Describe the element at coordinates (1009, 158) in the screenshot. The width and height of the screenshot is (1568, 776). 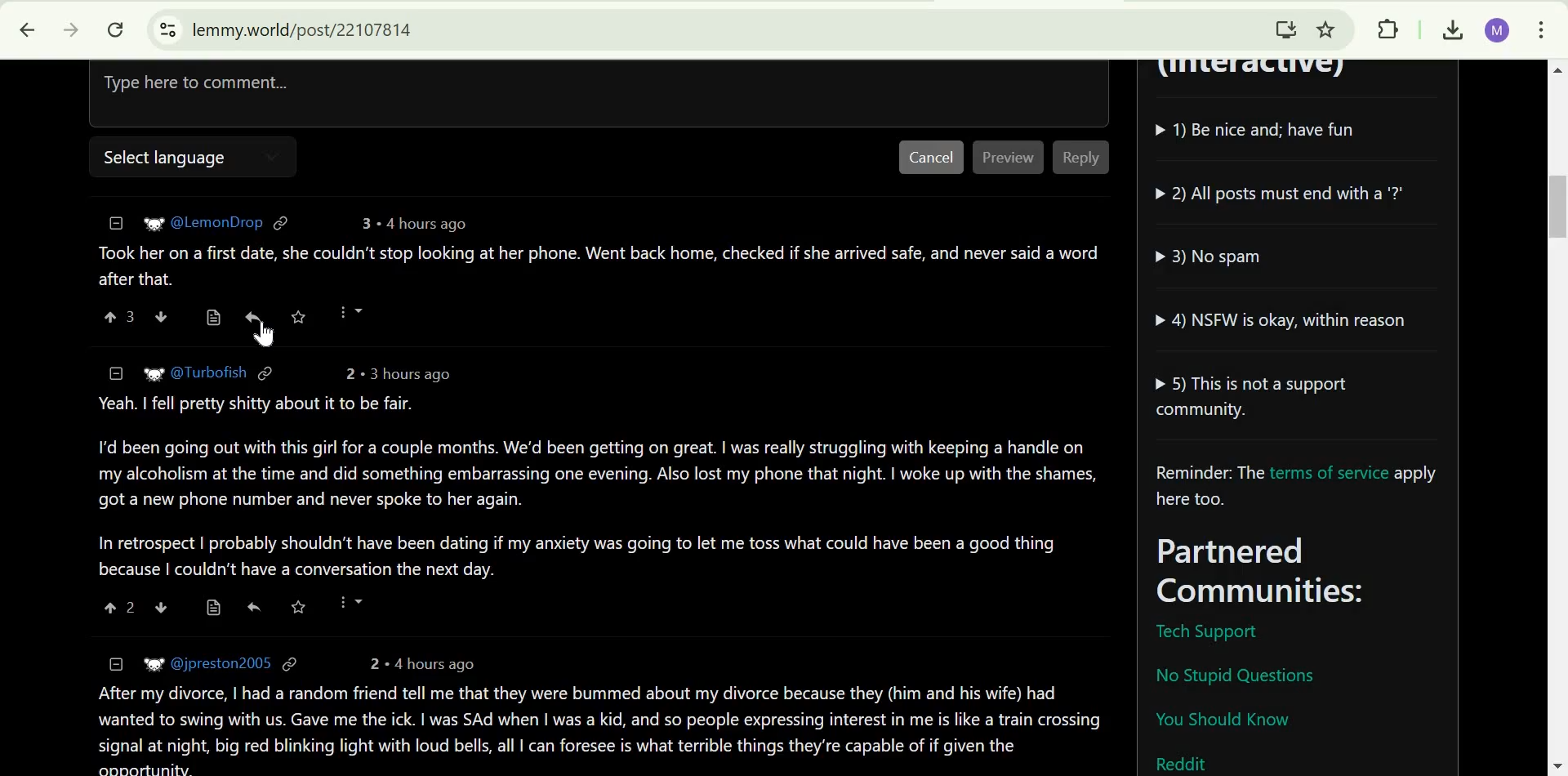
I see `Preview` at that location.